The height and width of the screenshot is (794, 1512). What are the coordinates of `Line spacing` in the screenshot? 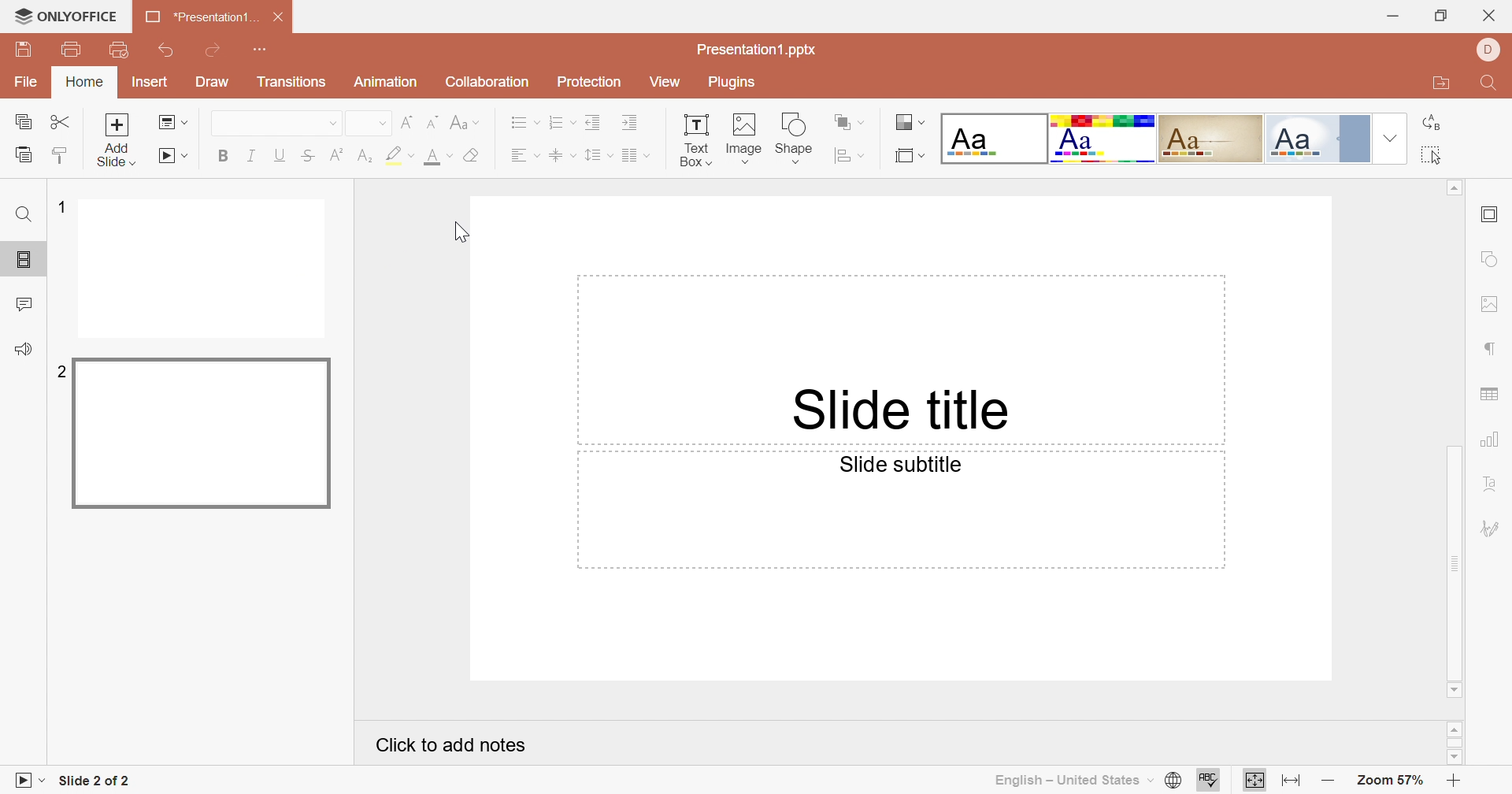 It's located at (597, 155).